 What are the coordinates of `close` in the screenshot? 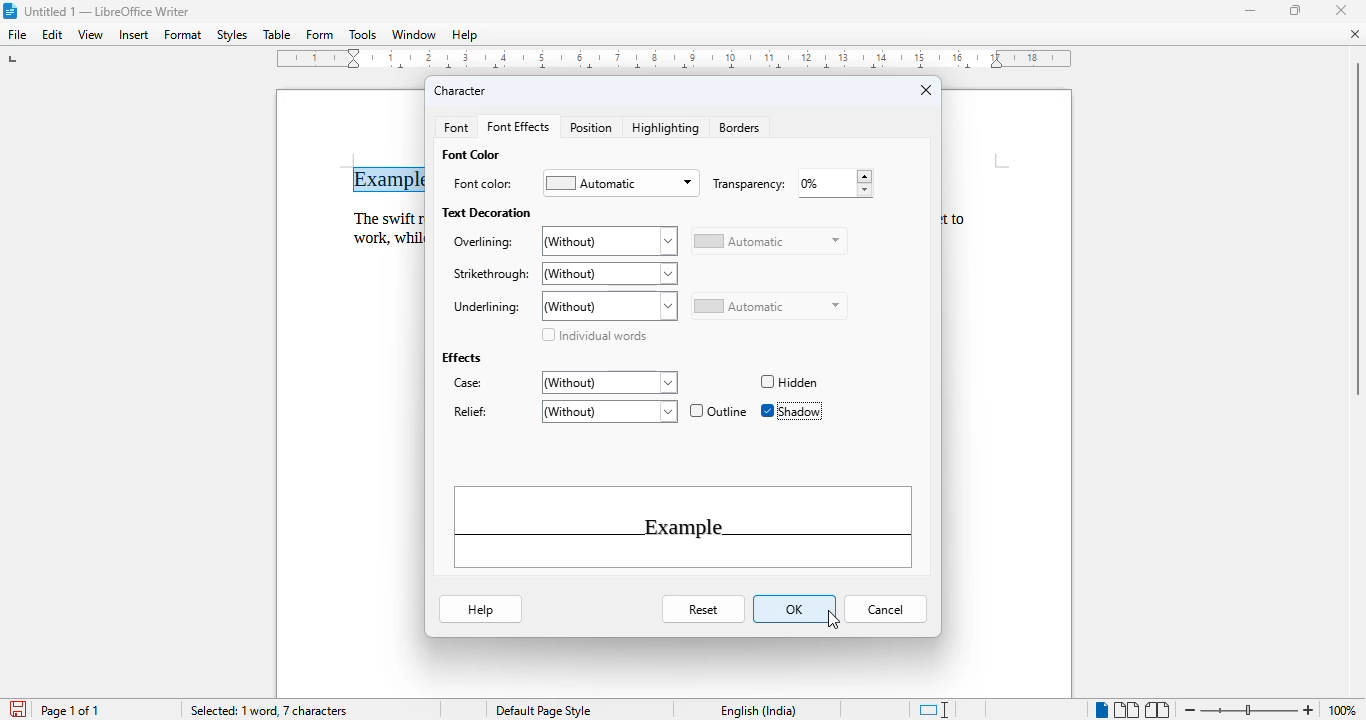 It's located at (926, 89).